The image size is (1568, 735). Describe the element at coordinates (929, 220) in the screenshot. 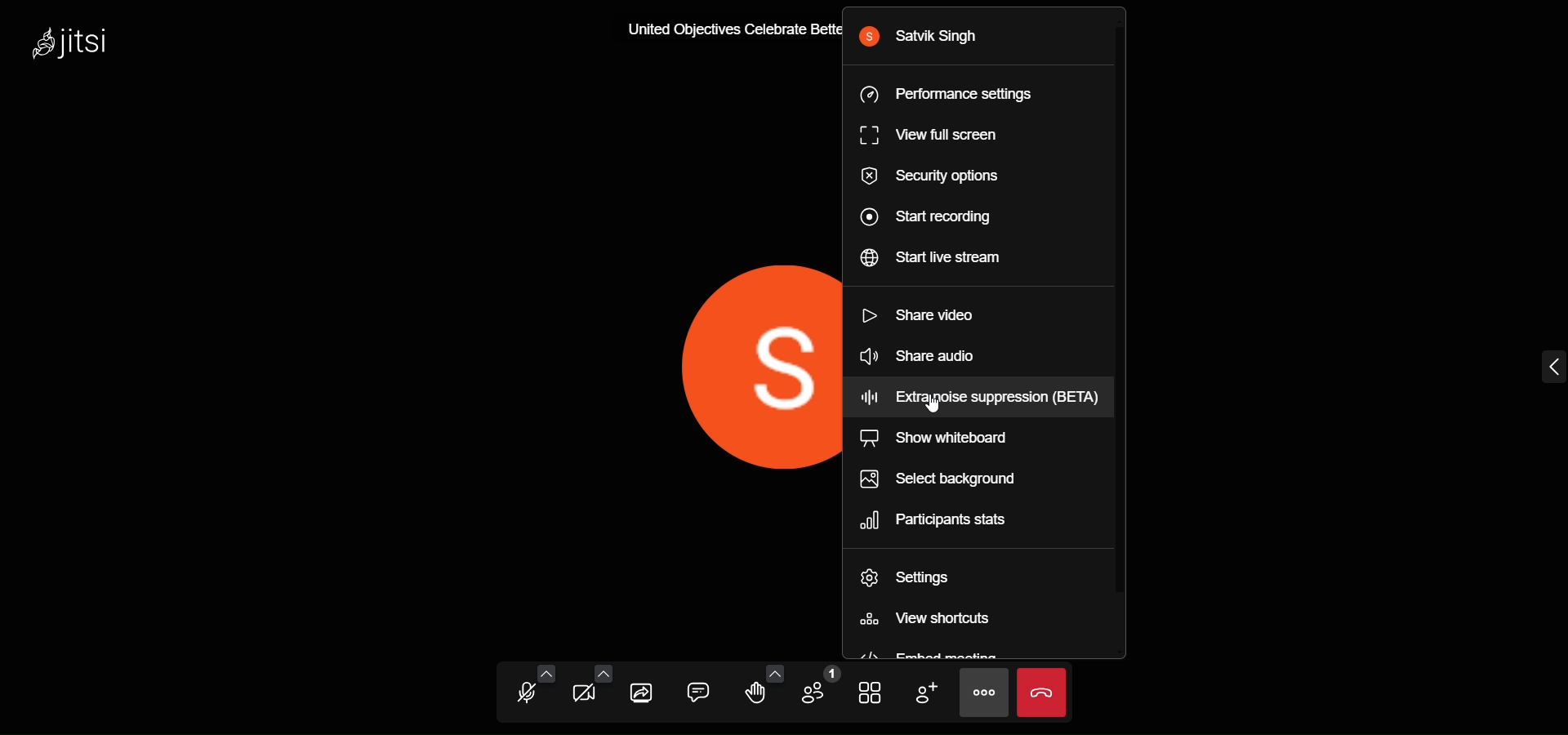

I see `start recording` at that location.